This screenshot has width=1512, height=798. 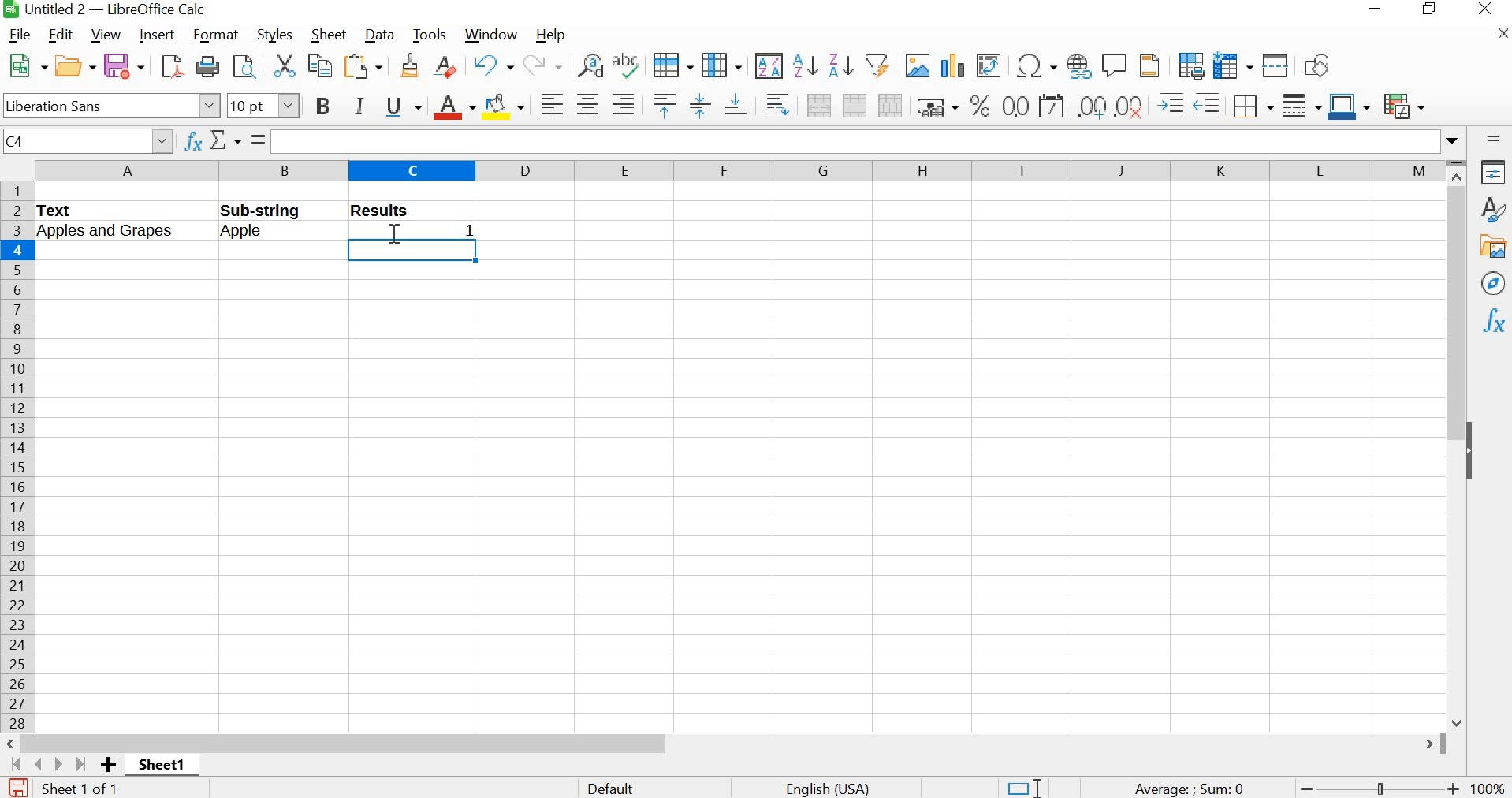 I want to click on align bottom, so click(x=735, y=104).